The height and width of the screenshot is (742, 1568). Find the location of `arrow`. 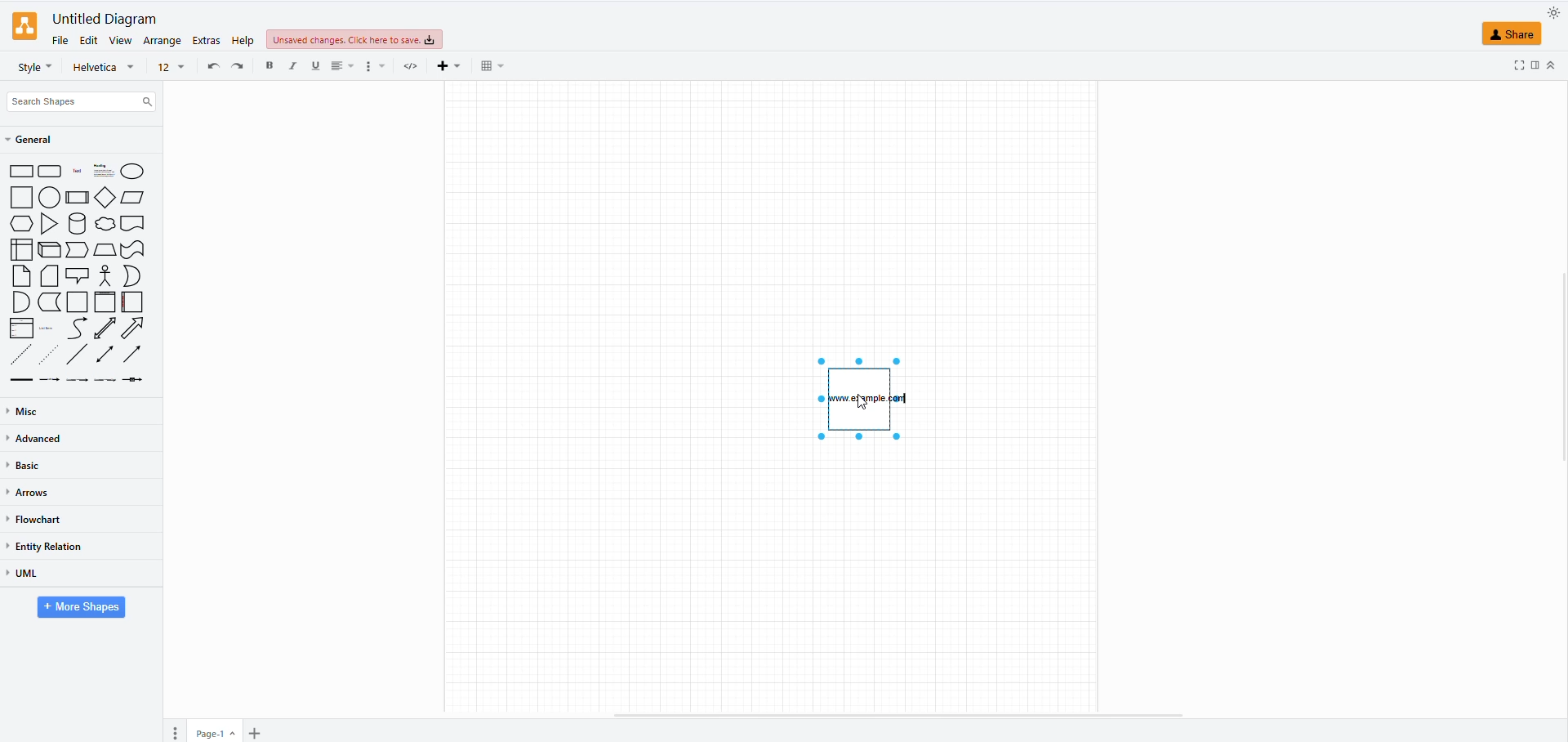

arrow is located at coordinates (136, 329).